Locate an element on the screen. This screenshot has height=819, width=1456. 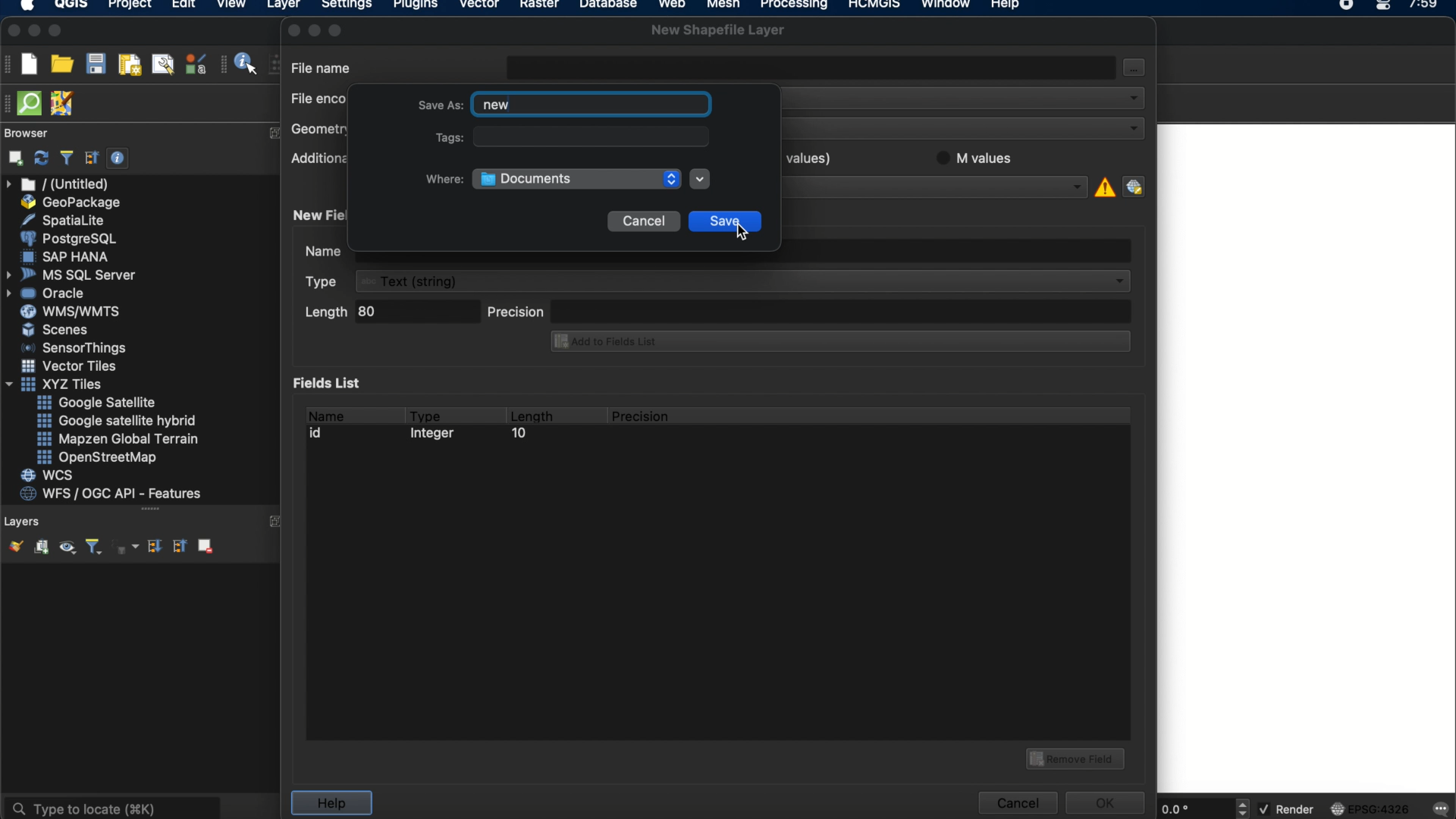
untitled is located at coordinates (59, 184).